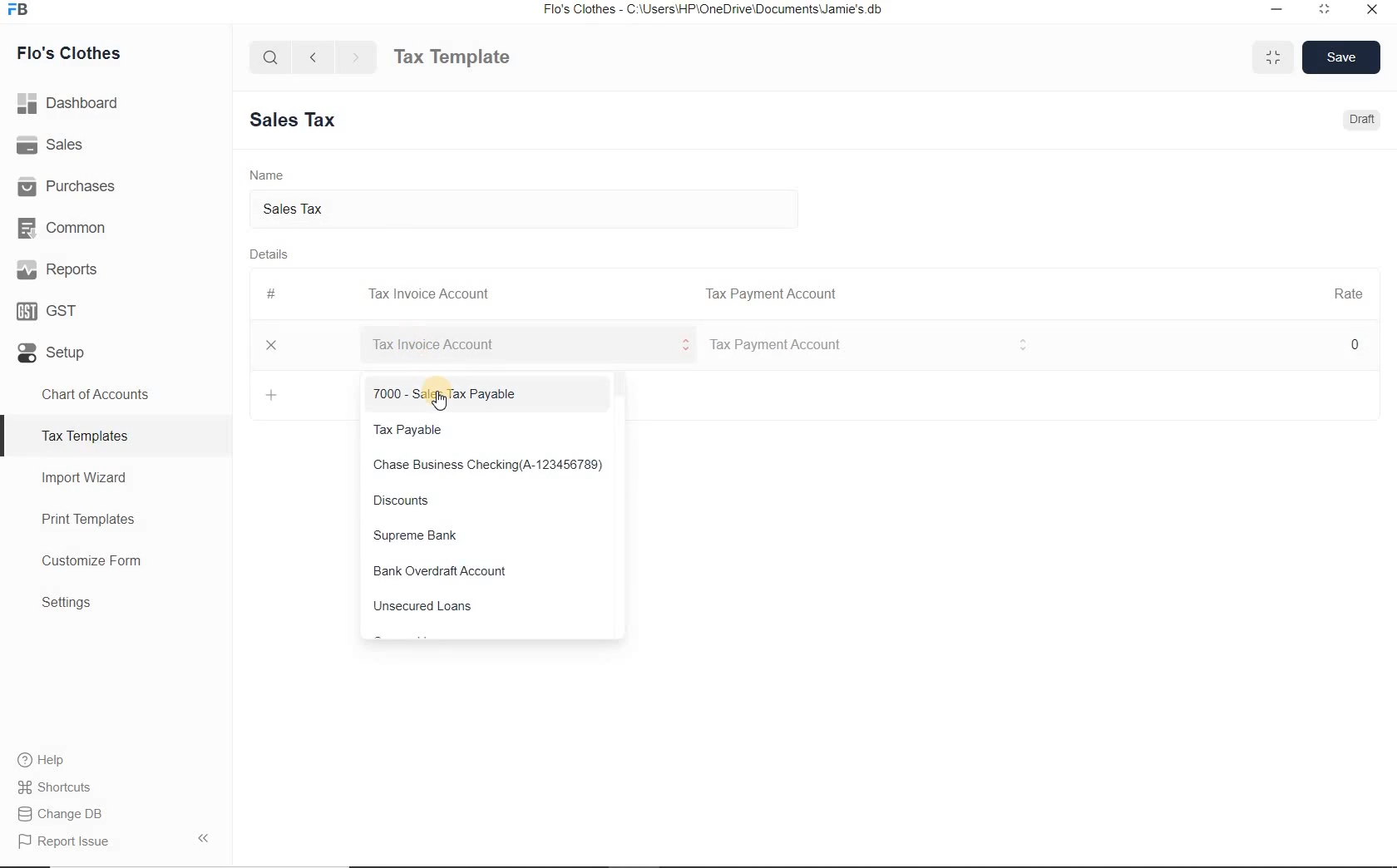 The width and height of the screenshot is (1397, 868). Describe the element at coordinates (491, 609) in the screenshot. I see `Unsecured Loans` at that location.